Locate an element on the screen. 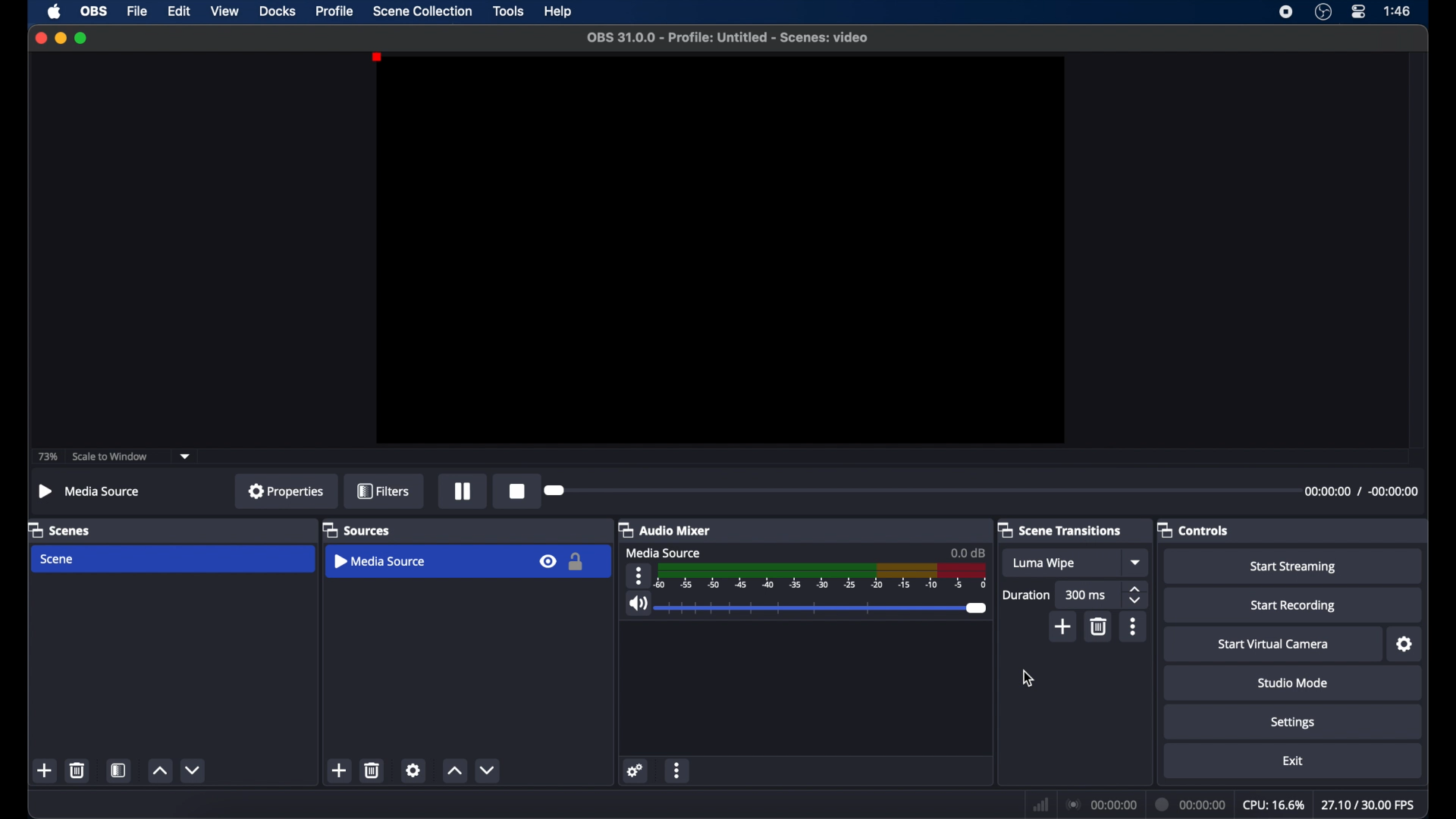 Image resolution: width=1456 pixels, height=819 pixels. cpu is located at coordinates (1274, 805).